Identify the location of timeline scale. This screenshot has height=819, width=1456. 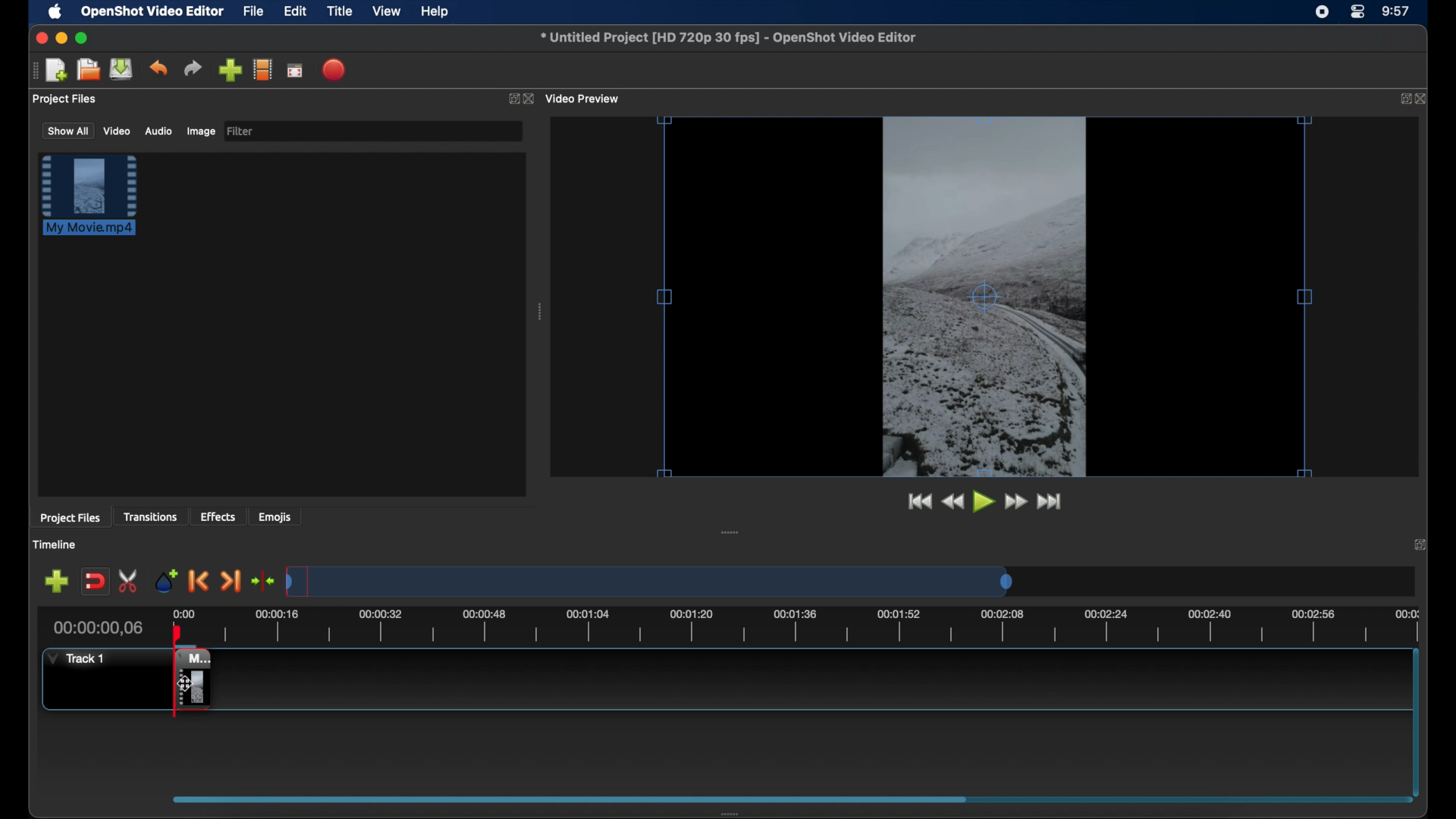
(816, 628).